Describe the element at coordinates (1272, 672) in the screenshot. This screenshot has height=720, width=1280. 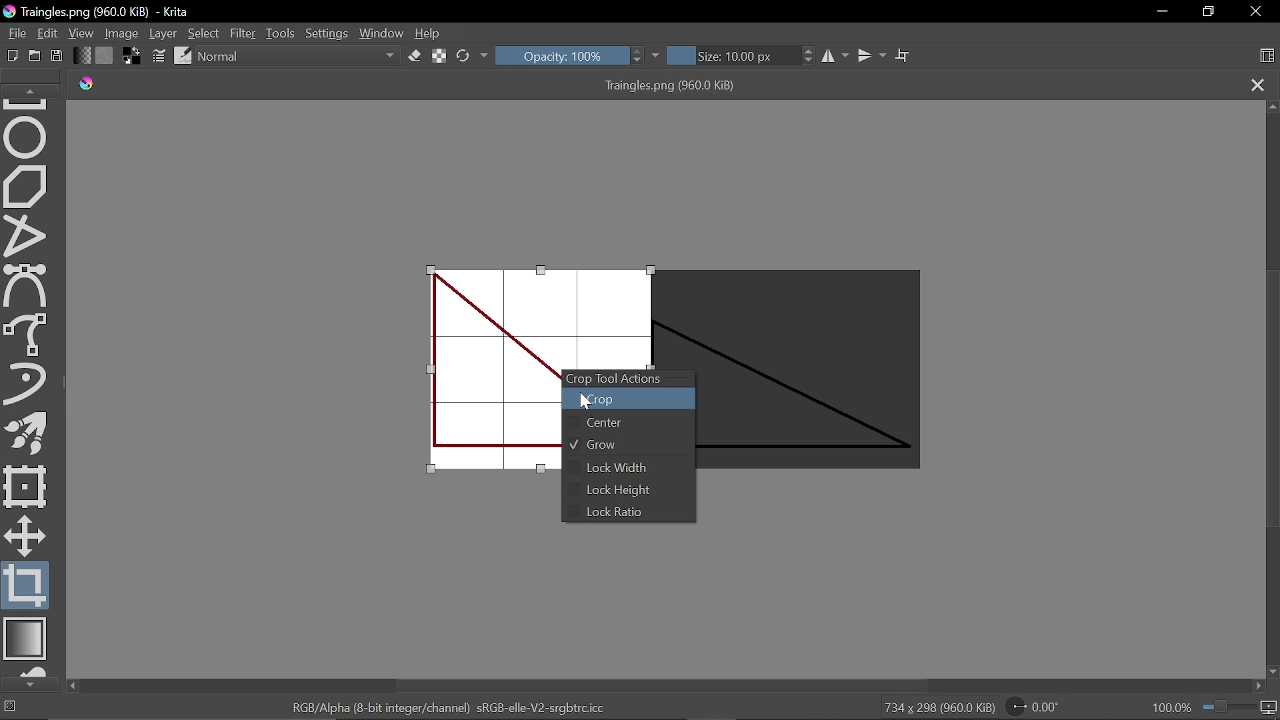
I see `Move down` at that location.